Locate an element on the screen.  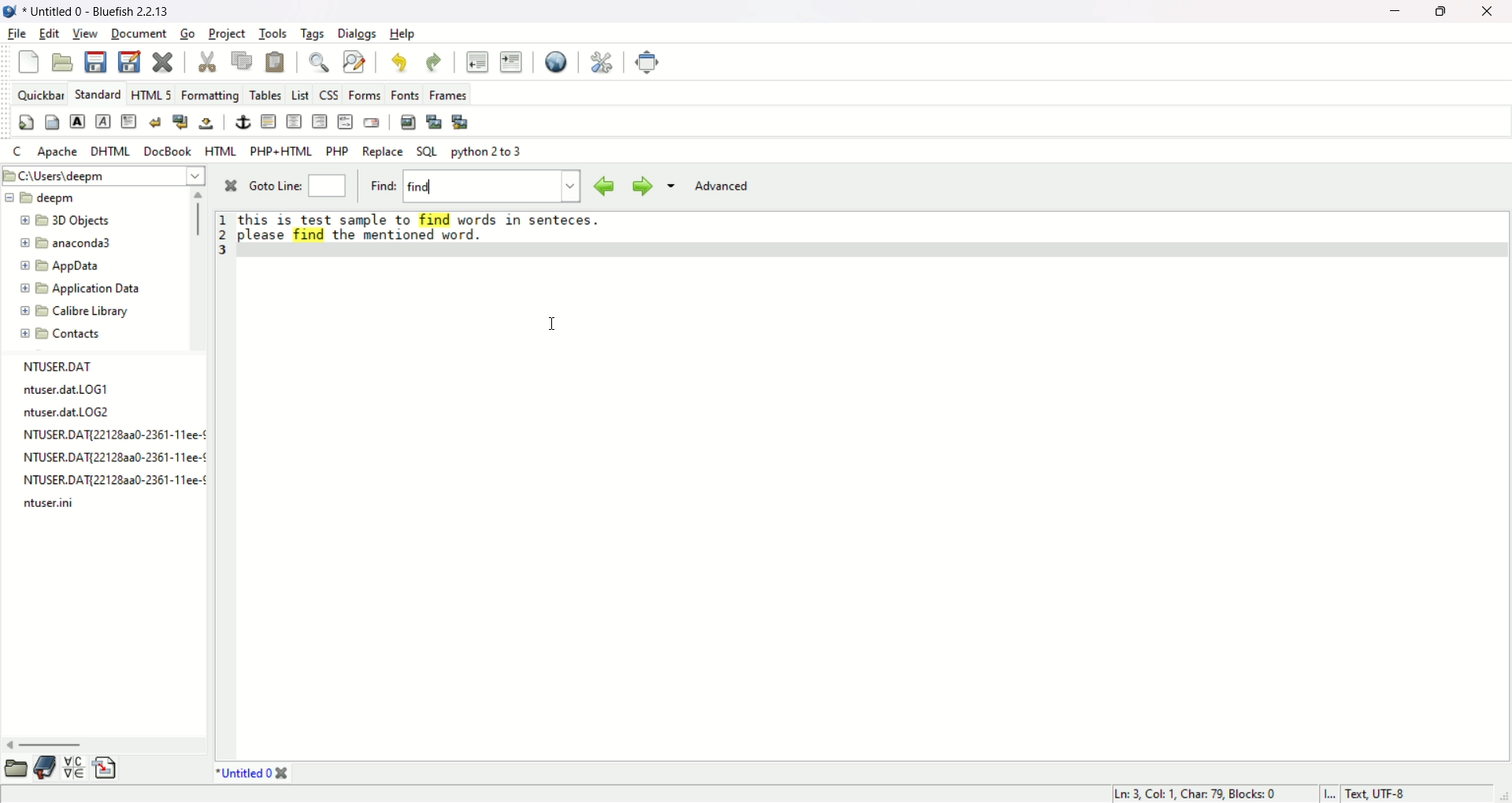
test sample to find words in sentences, please find the mentioned word is located at coordinates (420, 228).